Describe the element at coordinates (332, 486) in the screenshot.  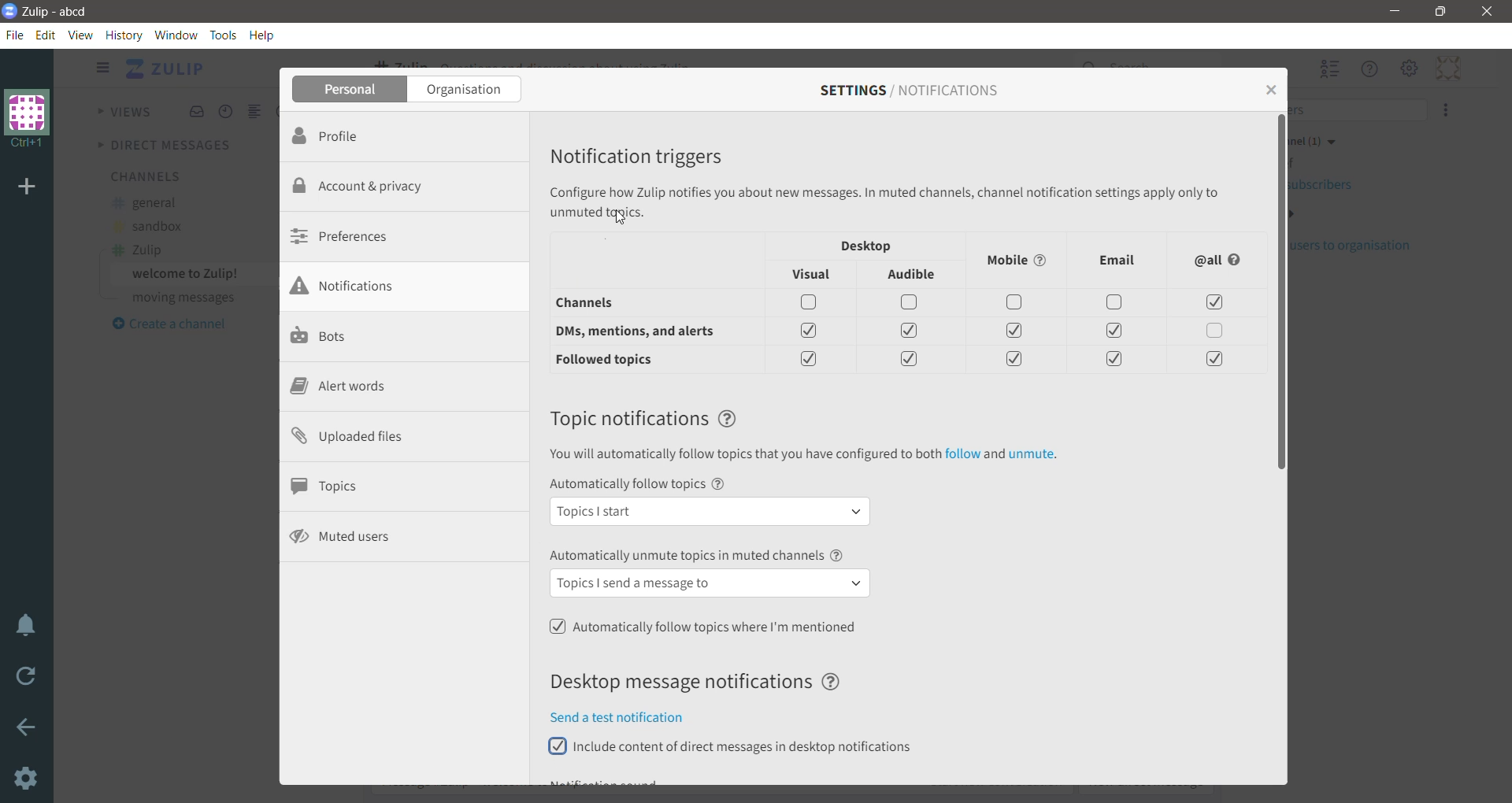
I see `Topics` at that location.